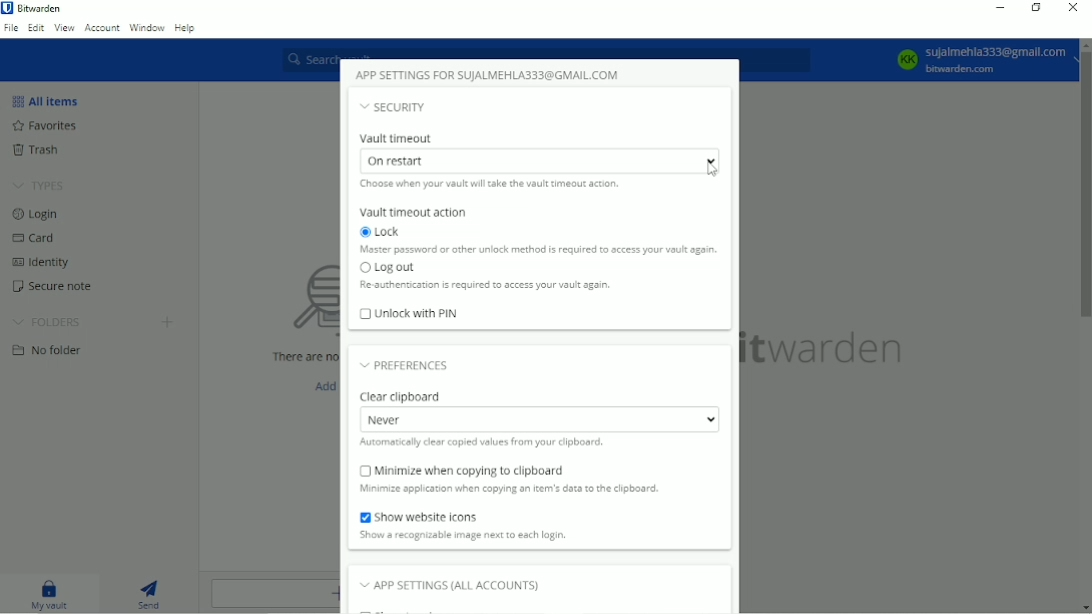 This screenshot has width=1092, height=614. What do you see at coordinates (548, 50) in the screenshot?
I see `Search vault` at bounding box center [548, 50].